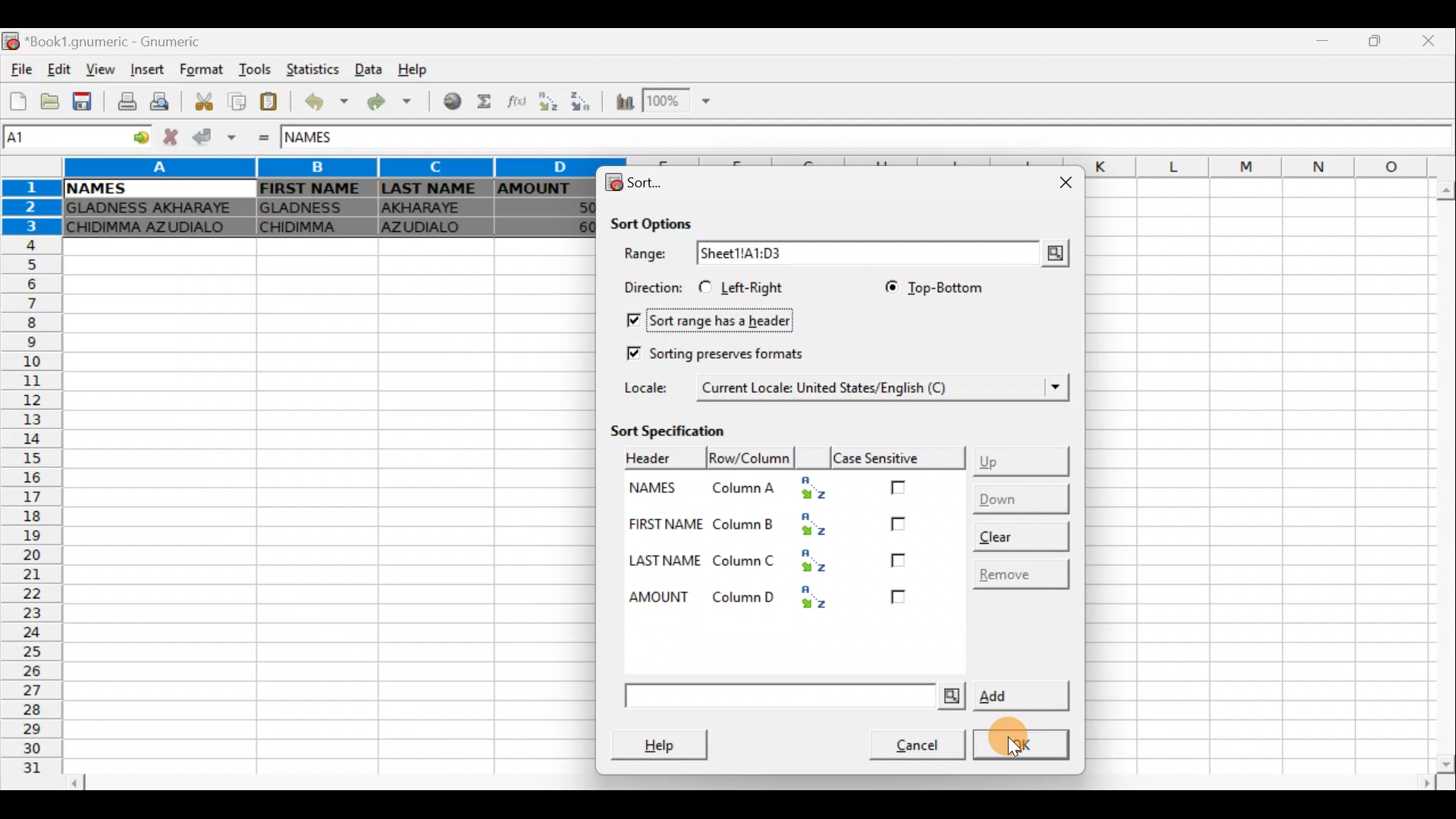  I want to click on Sort options, so click(652, 220).